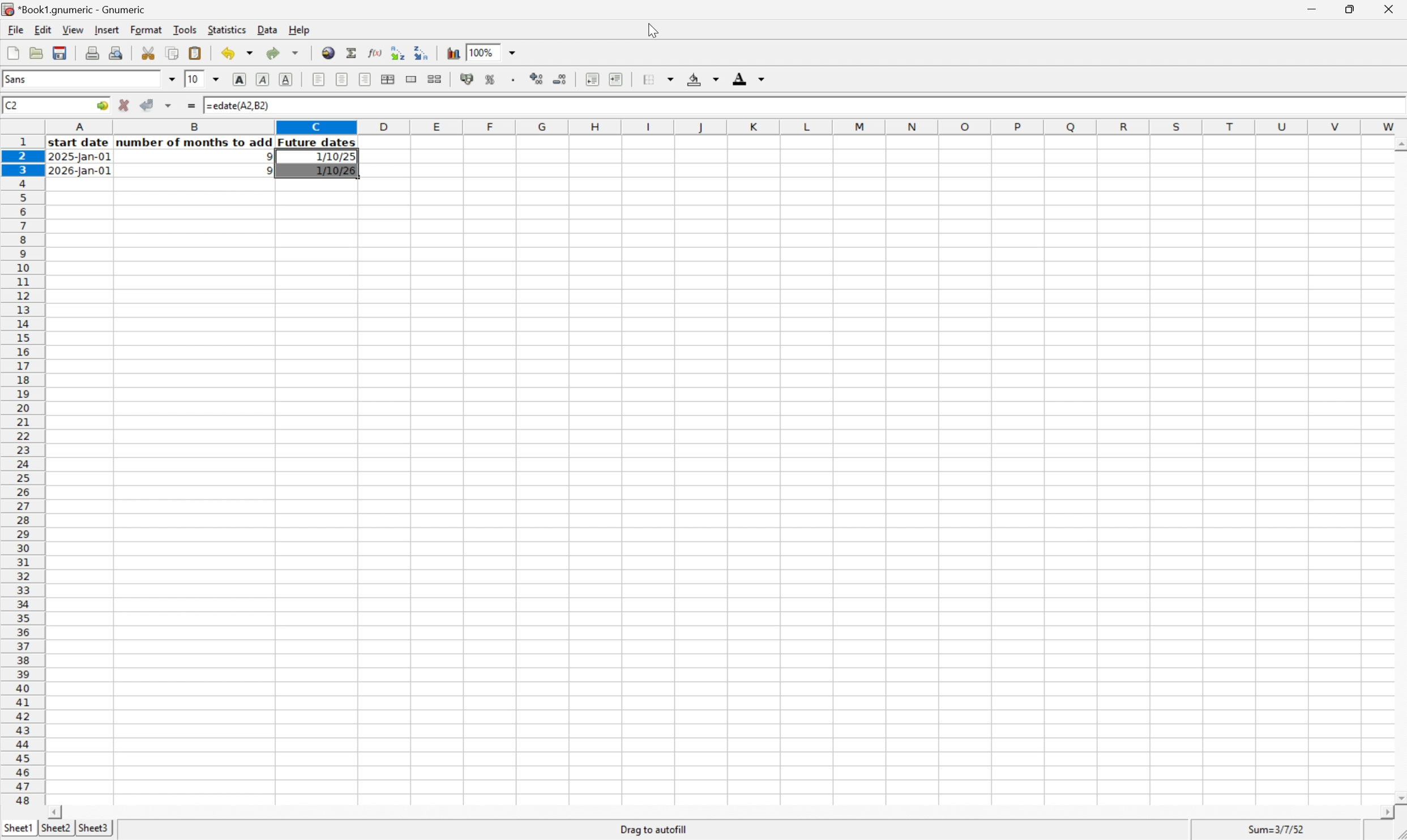 The height and width of the screenshot is (840, 1407). Describe the element at coordinates (194, 79) in the screenshot. I see `10` at that location.